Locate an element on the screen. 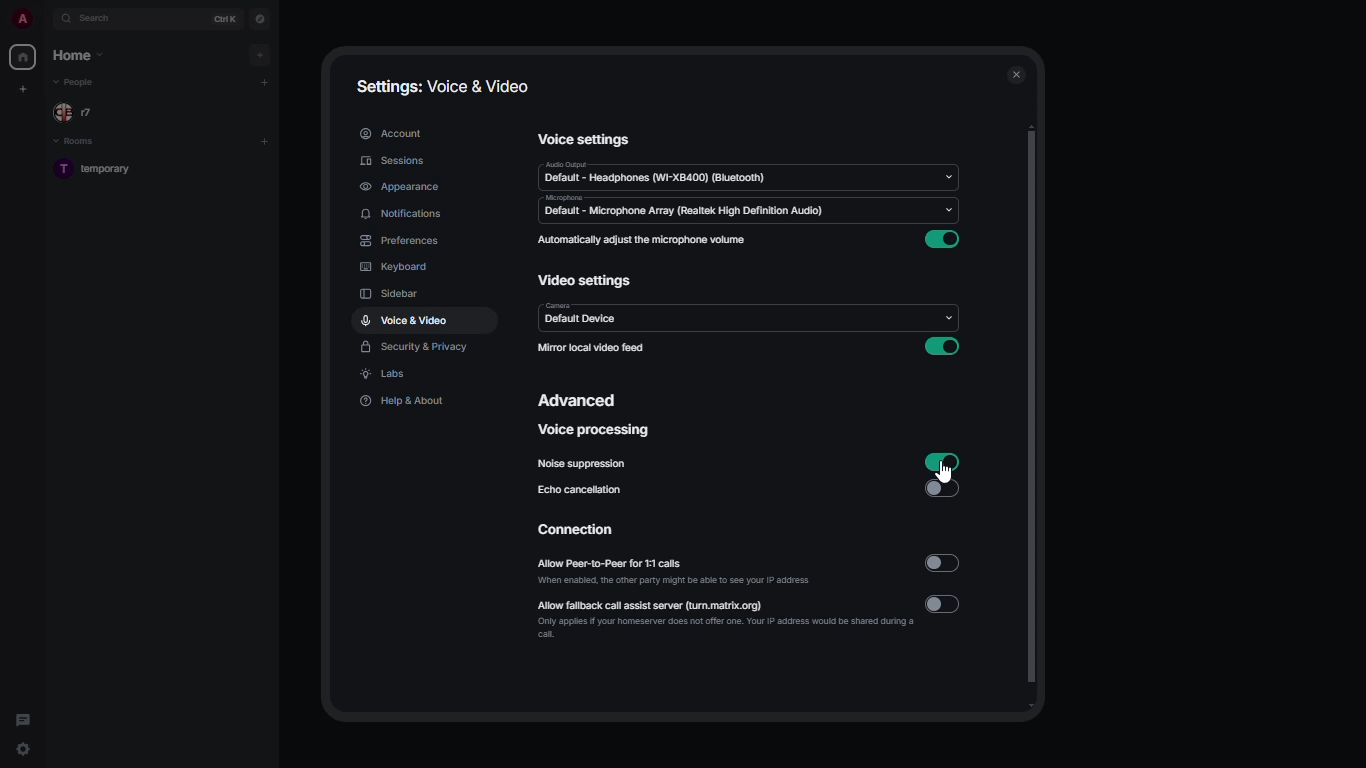 The width and height of the screenshot is (1366, 768). voice processing is located at coordinates (594, 431).